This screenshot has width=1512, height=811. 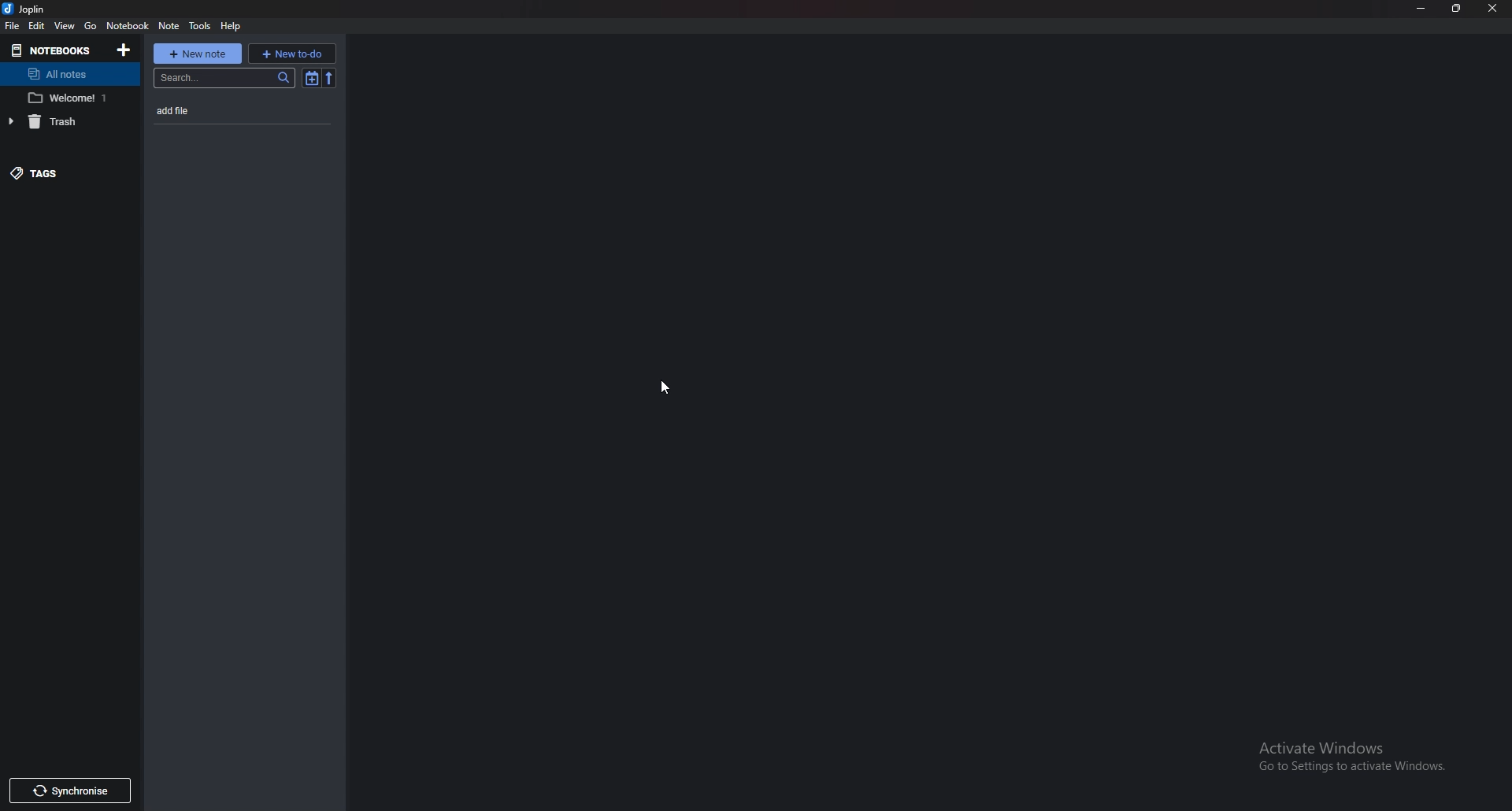 I want to click on activate windows, so click(x=1360, y=753).